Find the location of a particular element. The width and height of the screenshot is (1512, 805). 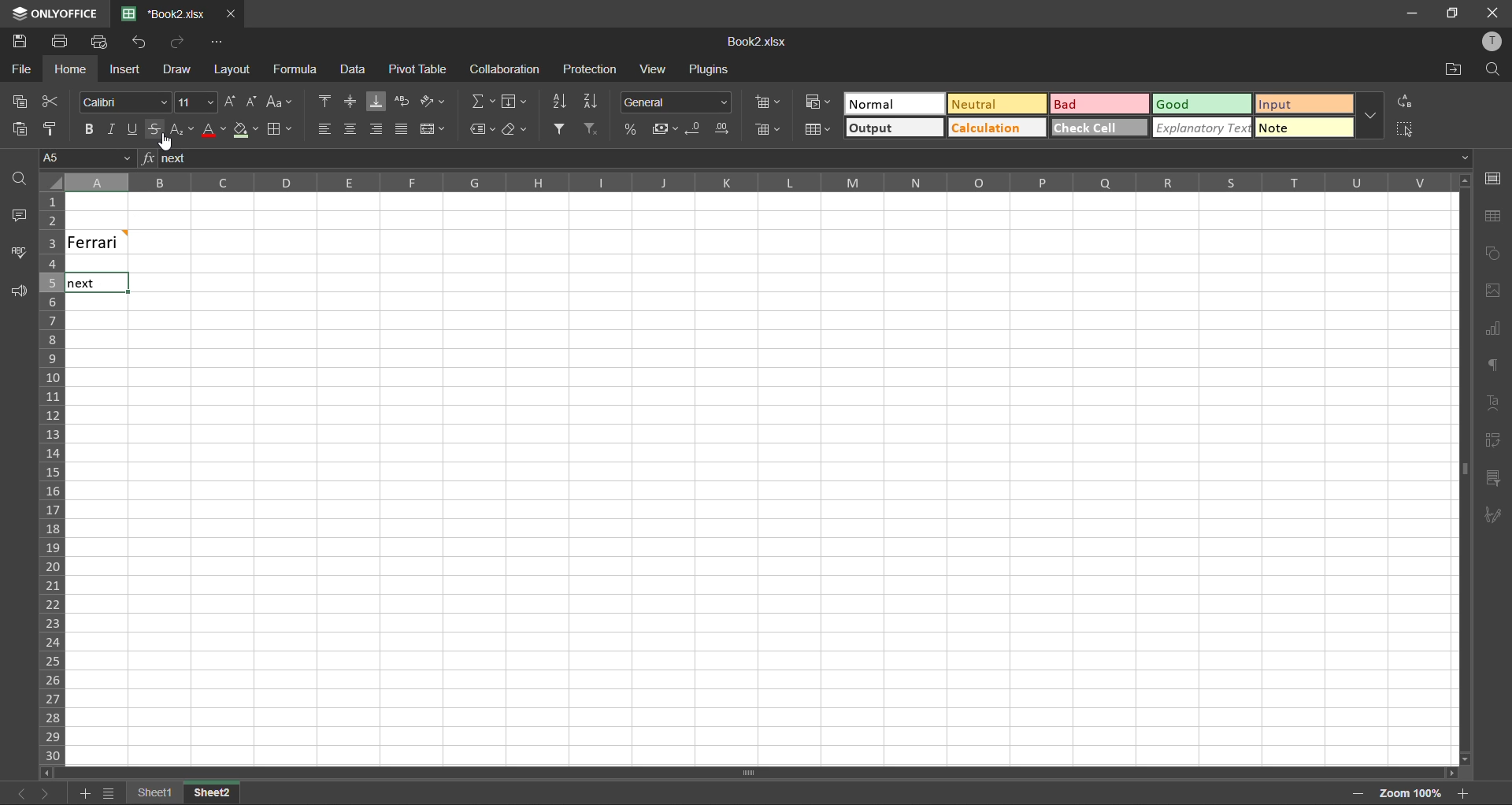

wrap text is located at coordinates (406, 102).